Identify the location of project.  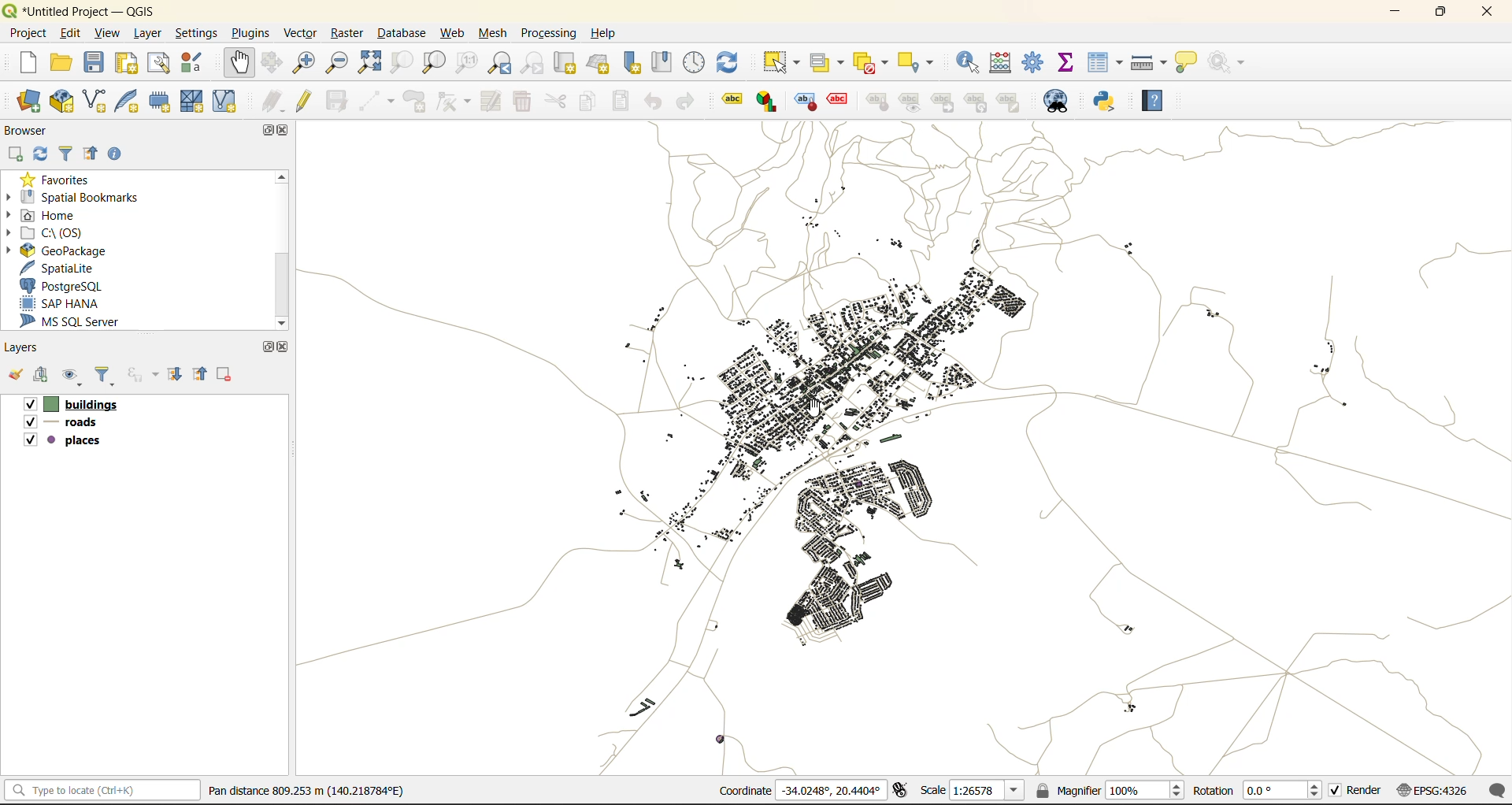
(32, 35).